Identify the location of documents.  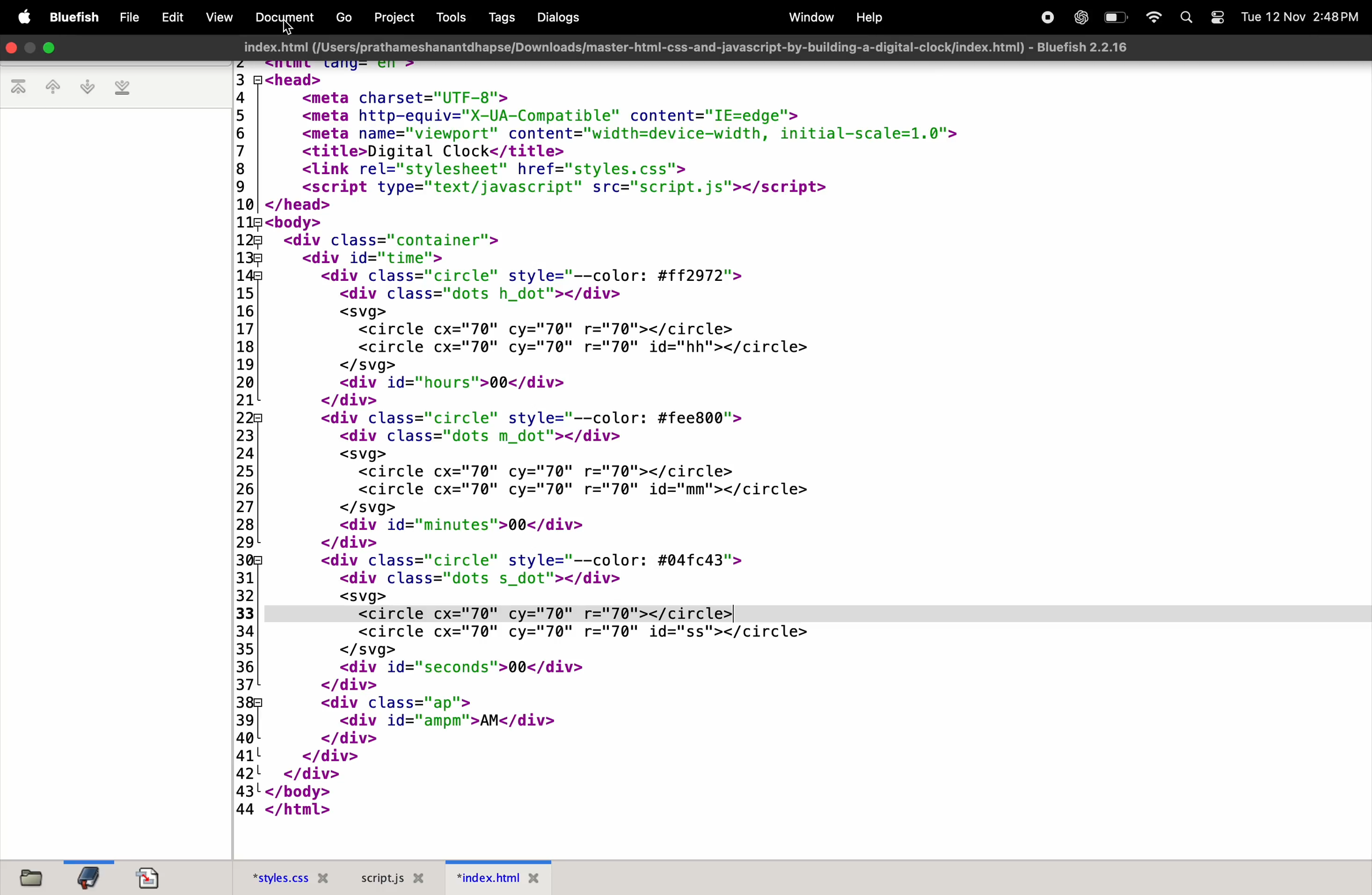
(154, 877).